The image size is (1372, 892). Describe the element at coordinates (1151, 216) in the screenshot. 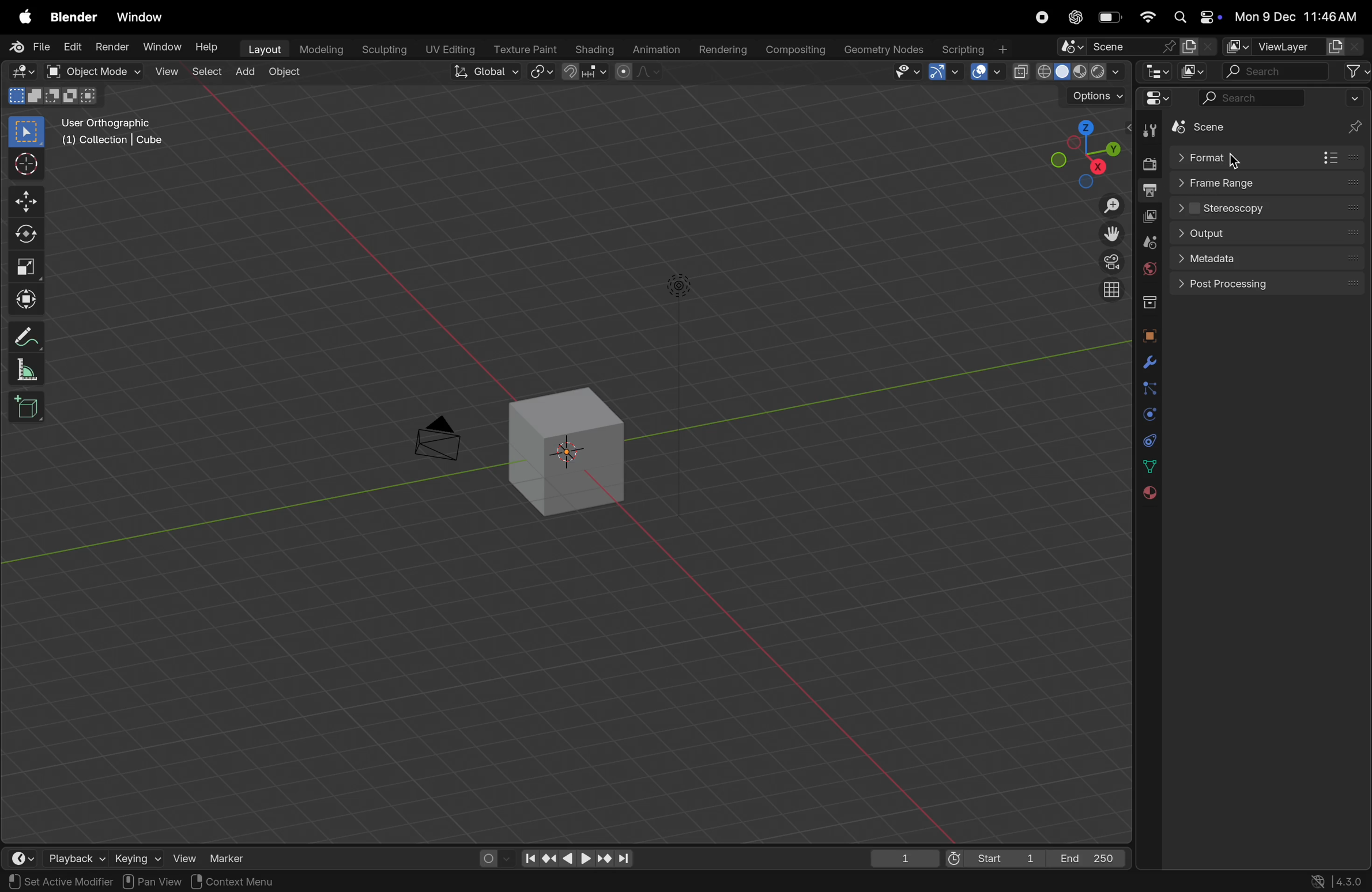

I see `view layer` at that location.